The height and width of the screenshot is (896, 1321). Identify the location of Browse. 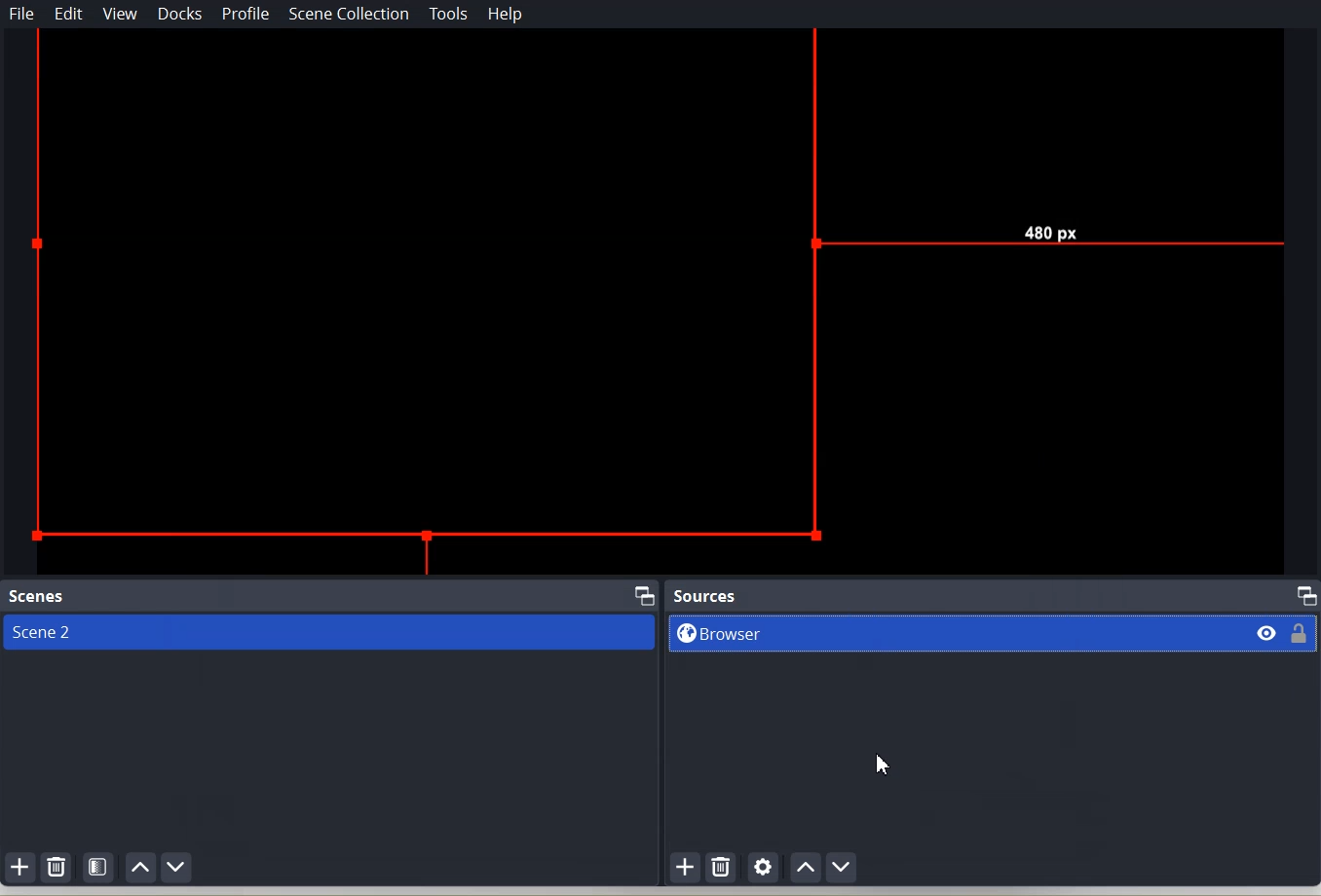
(949, 635).